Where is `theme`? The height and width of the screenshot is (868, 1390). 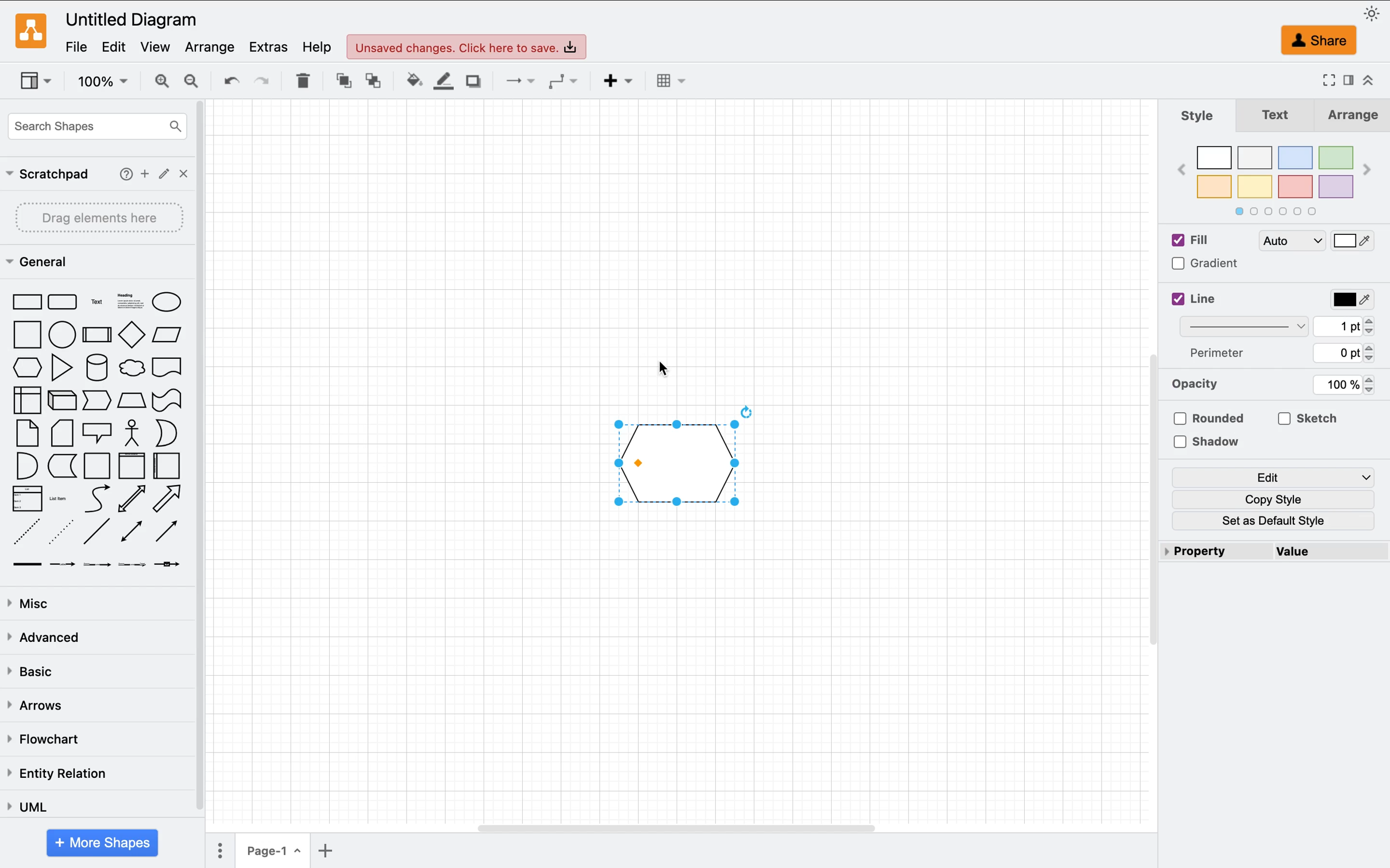
theme is located at coordinates (1374, 14).